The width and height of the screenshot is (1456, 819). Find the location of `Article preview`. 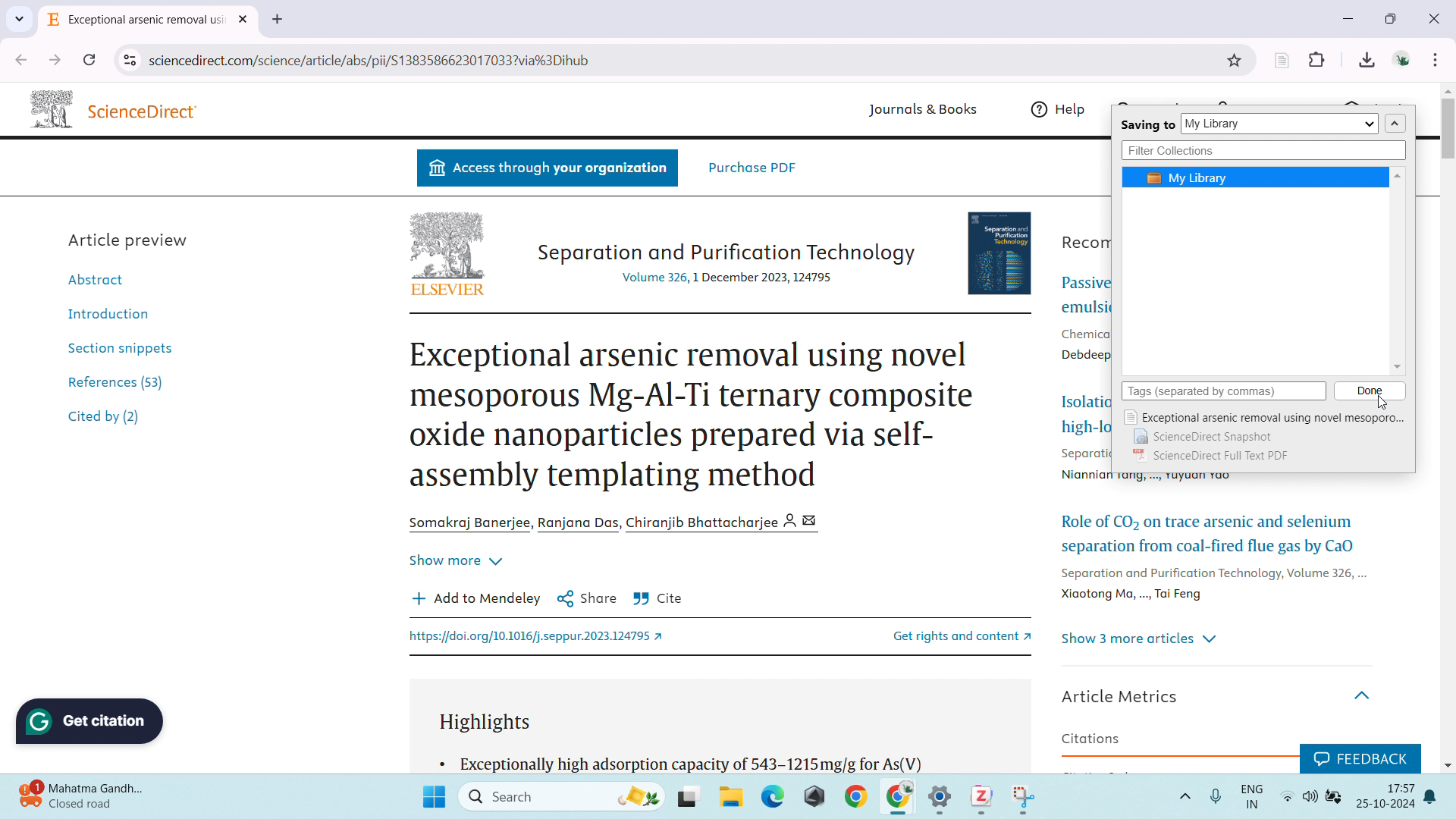

Article preview is located at coordinates (130, 239).